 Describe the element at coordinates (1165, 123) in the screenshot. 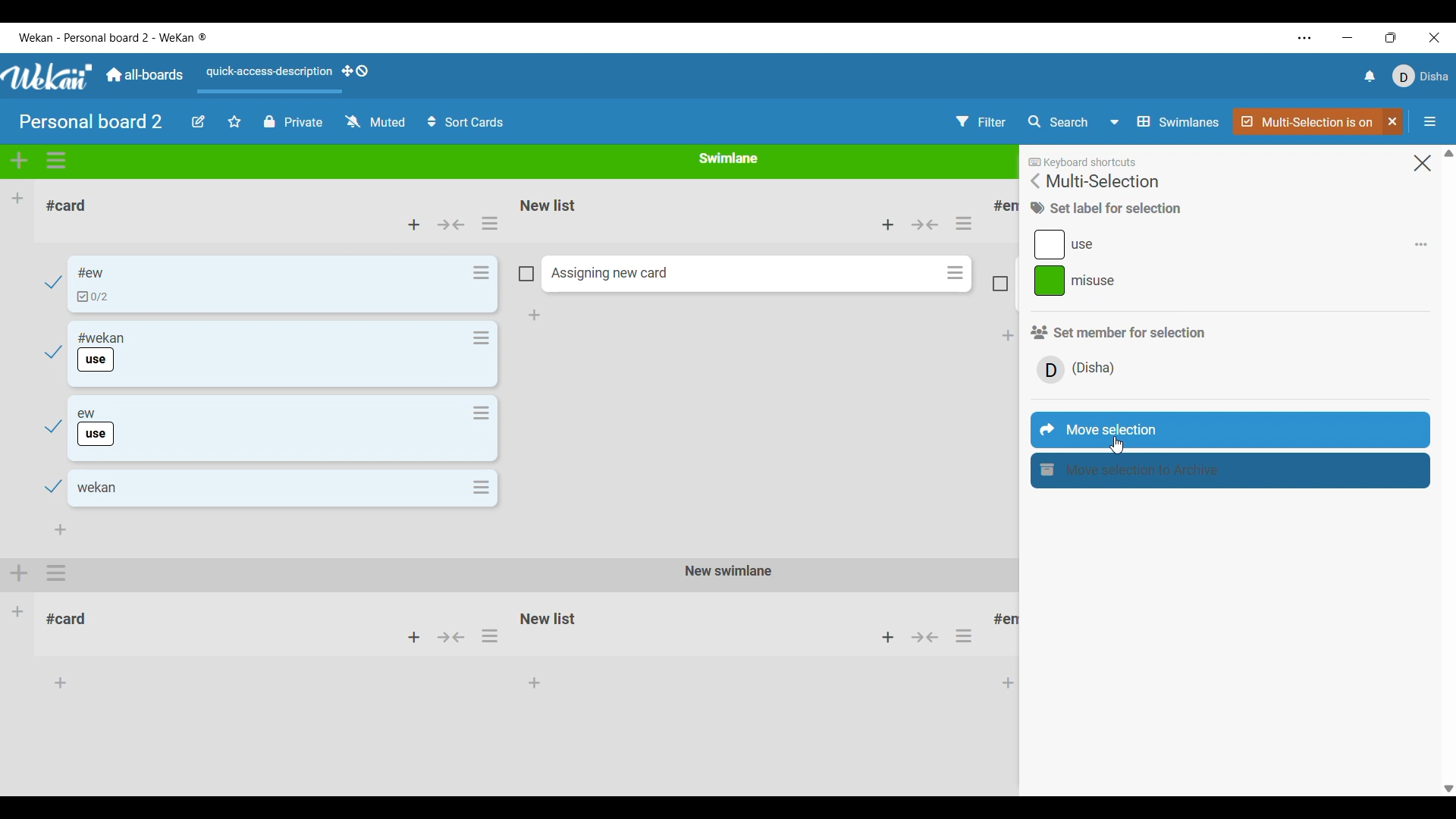

I see `Board view options` at that location.